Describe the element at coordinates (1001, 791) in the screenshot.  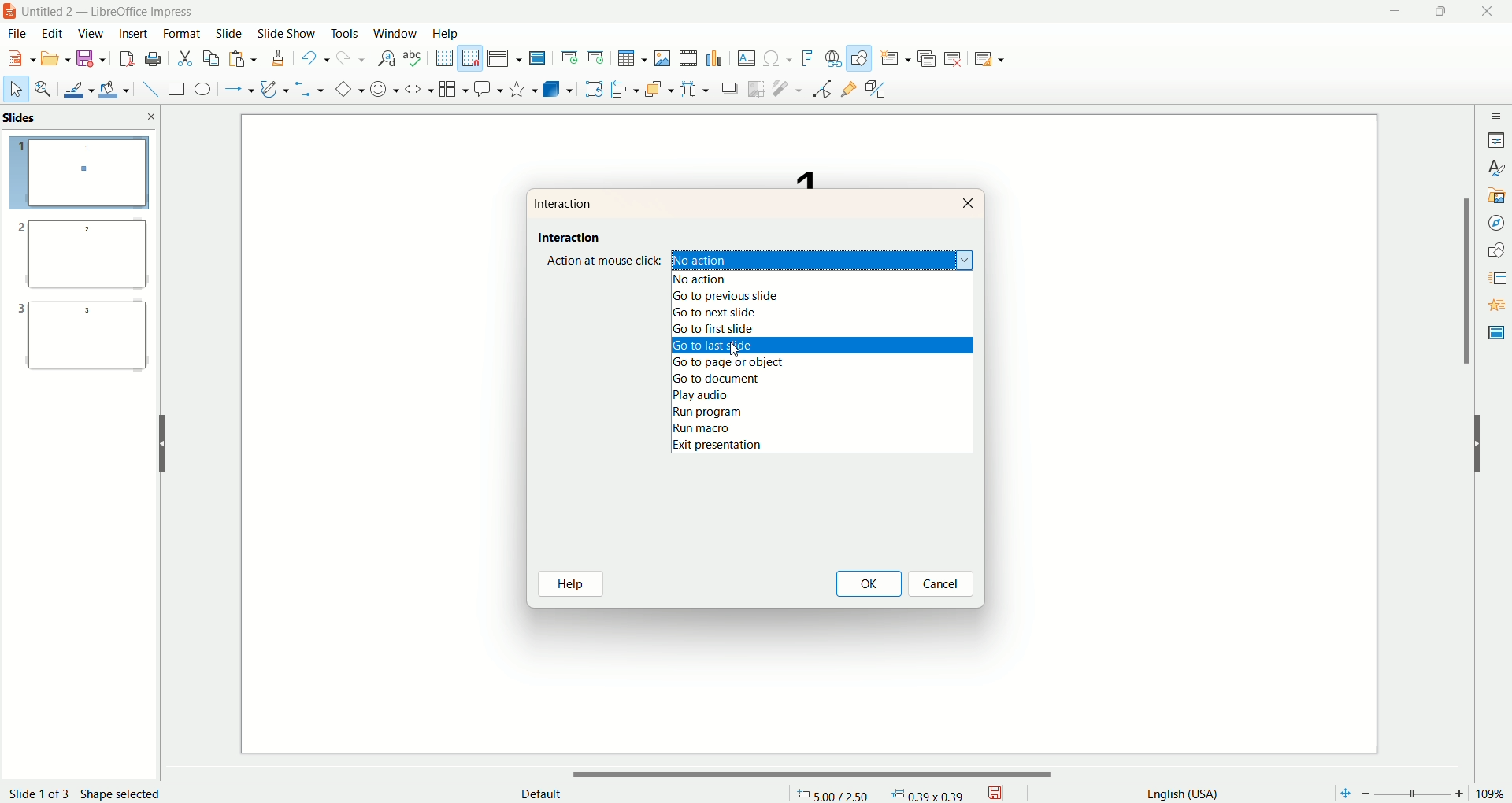
I see `save` at that location.